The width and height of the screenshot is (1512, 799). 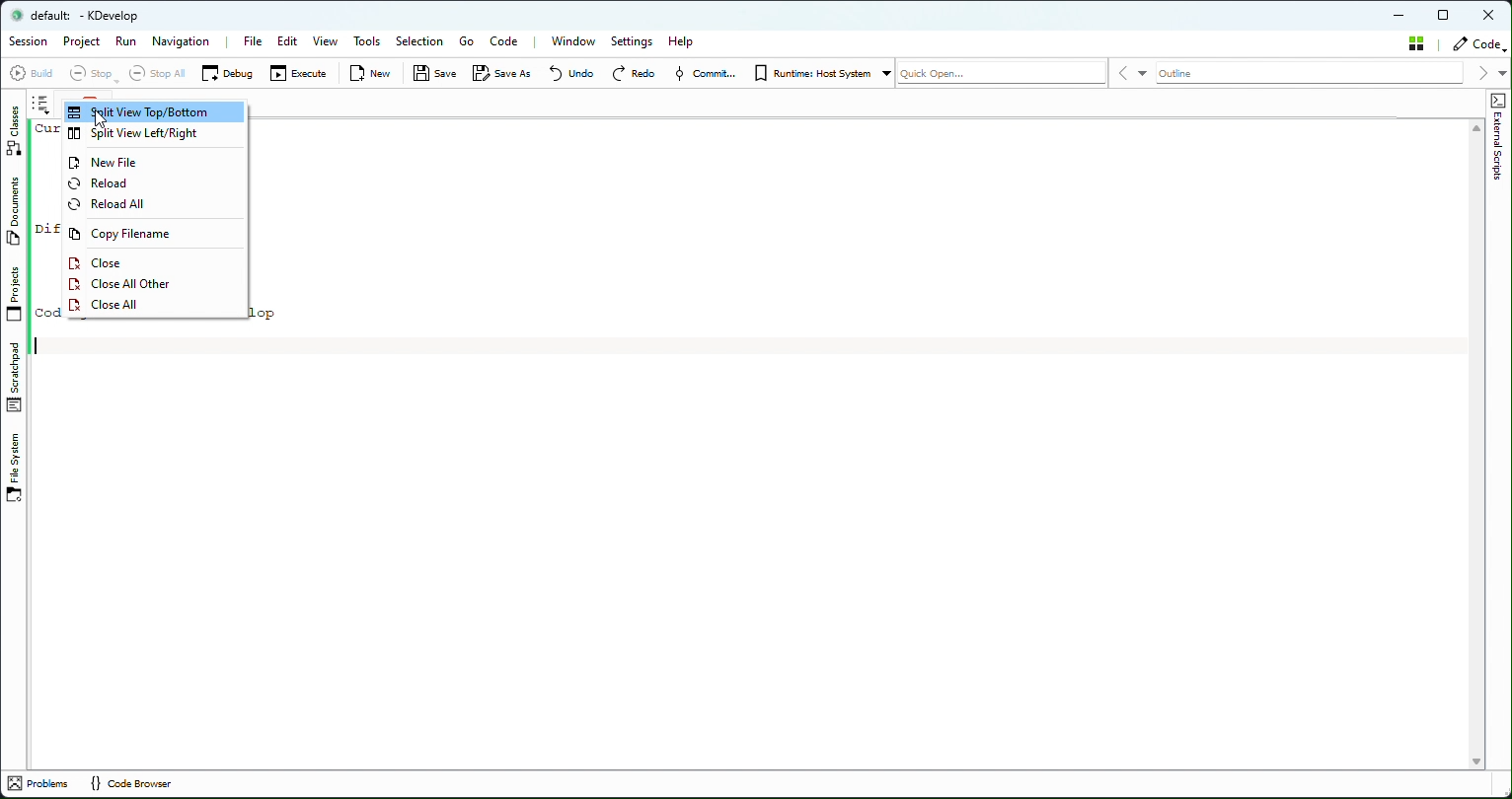 What do you see at coordinates (505, 41) in the screenshot?
I see `Code` at bounding box center [505, 41].